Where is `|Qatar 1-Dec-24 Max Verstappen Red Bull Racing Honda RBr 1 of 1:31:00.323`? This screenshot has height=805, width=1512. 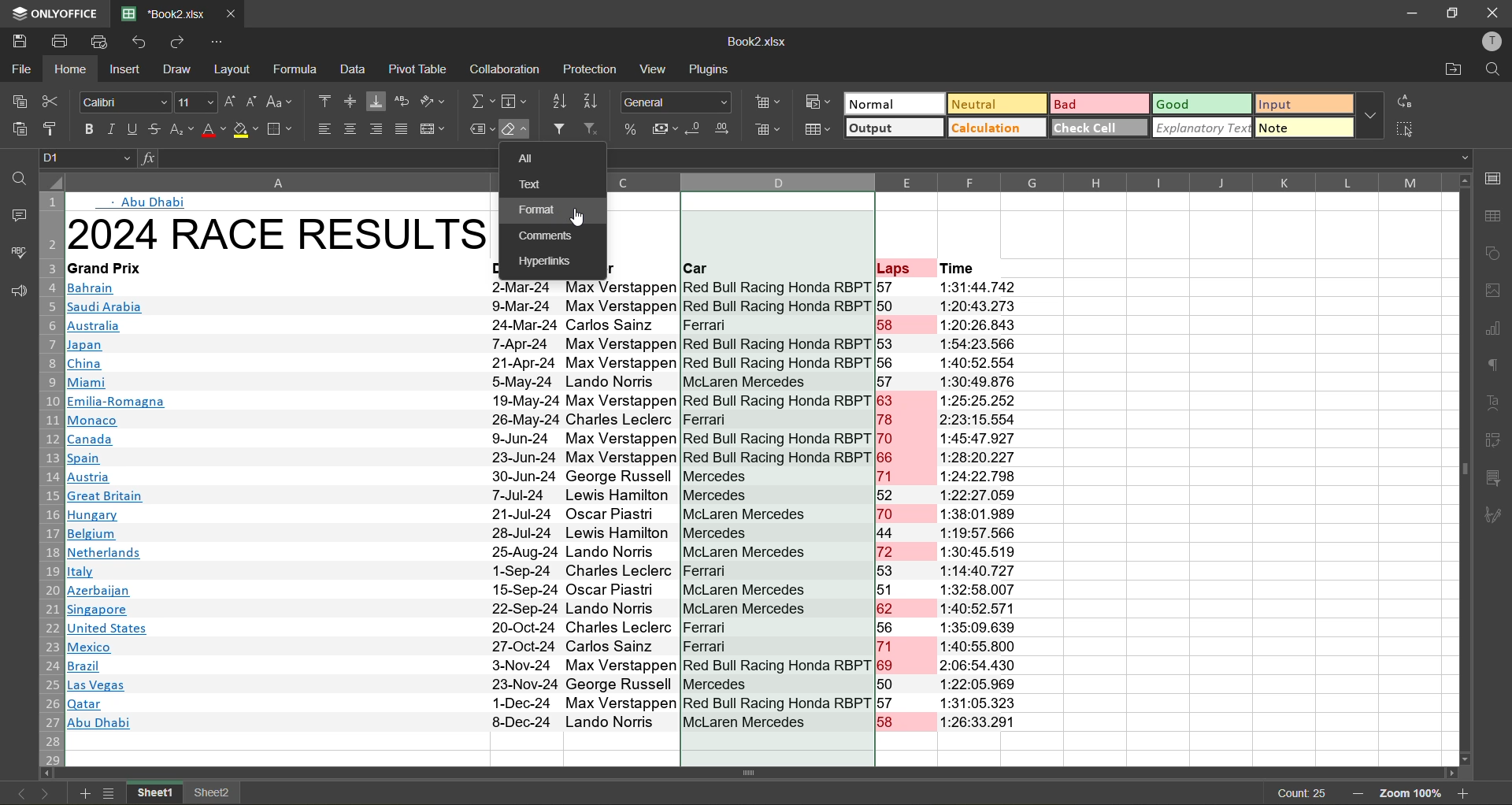 |Qatar 1-Dec-24 Max Verstappen Red Bull Racing Honda RBr 1 of 1:31:00.323 is located at coordinates (548, 704).